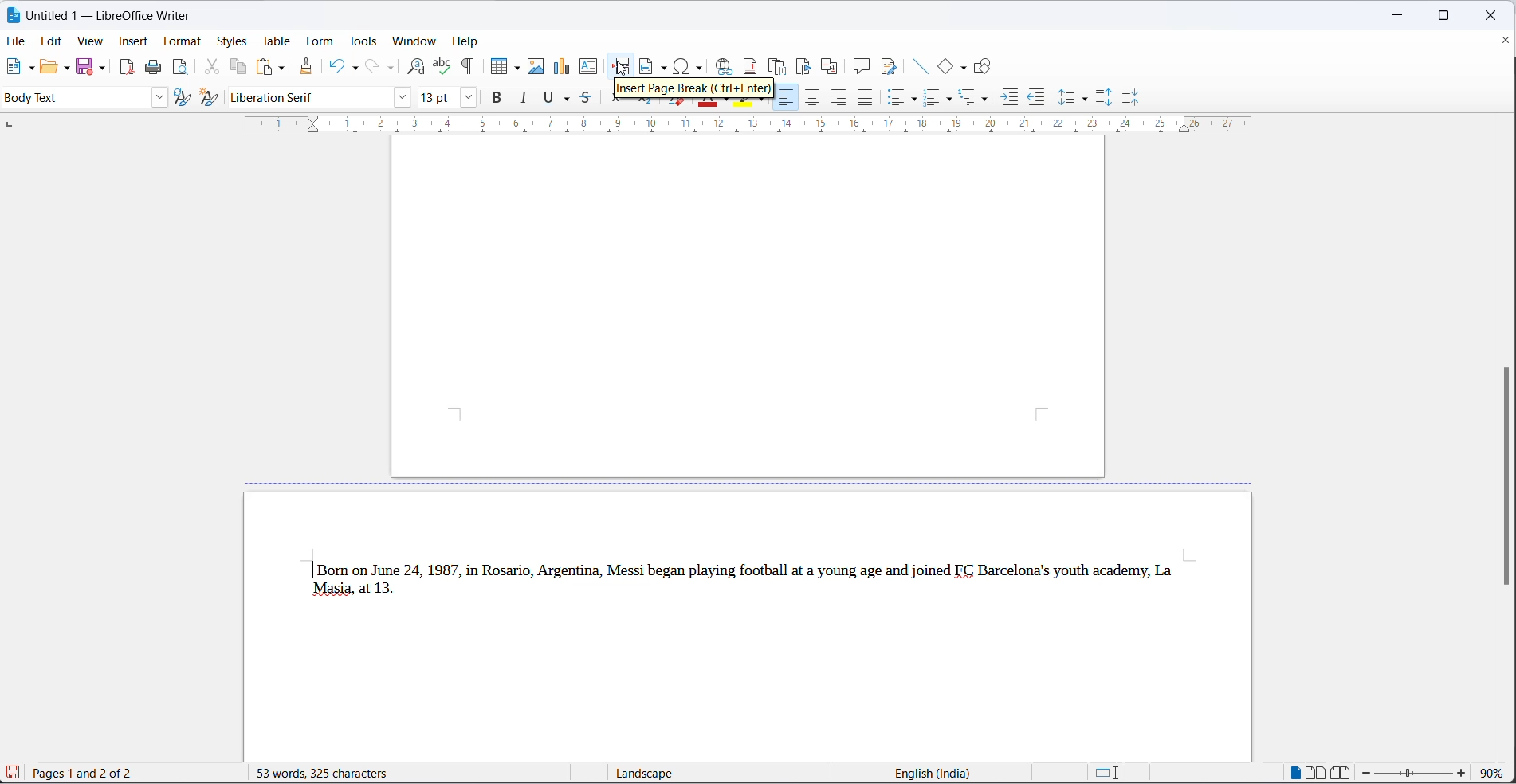 This screenshot has height=784, width=1516. I want to click on toggle unordered list options, so click(913, 98).